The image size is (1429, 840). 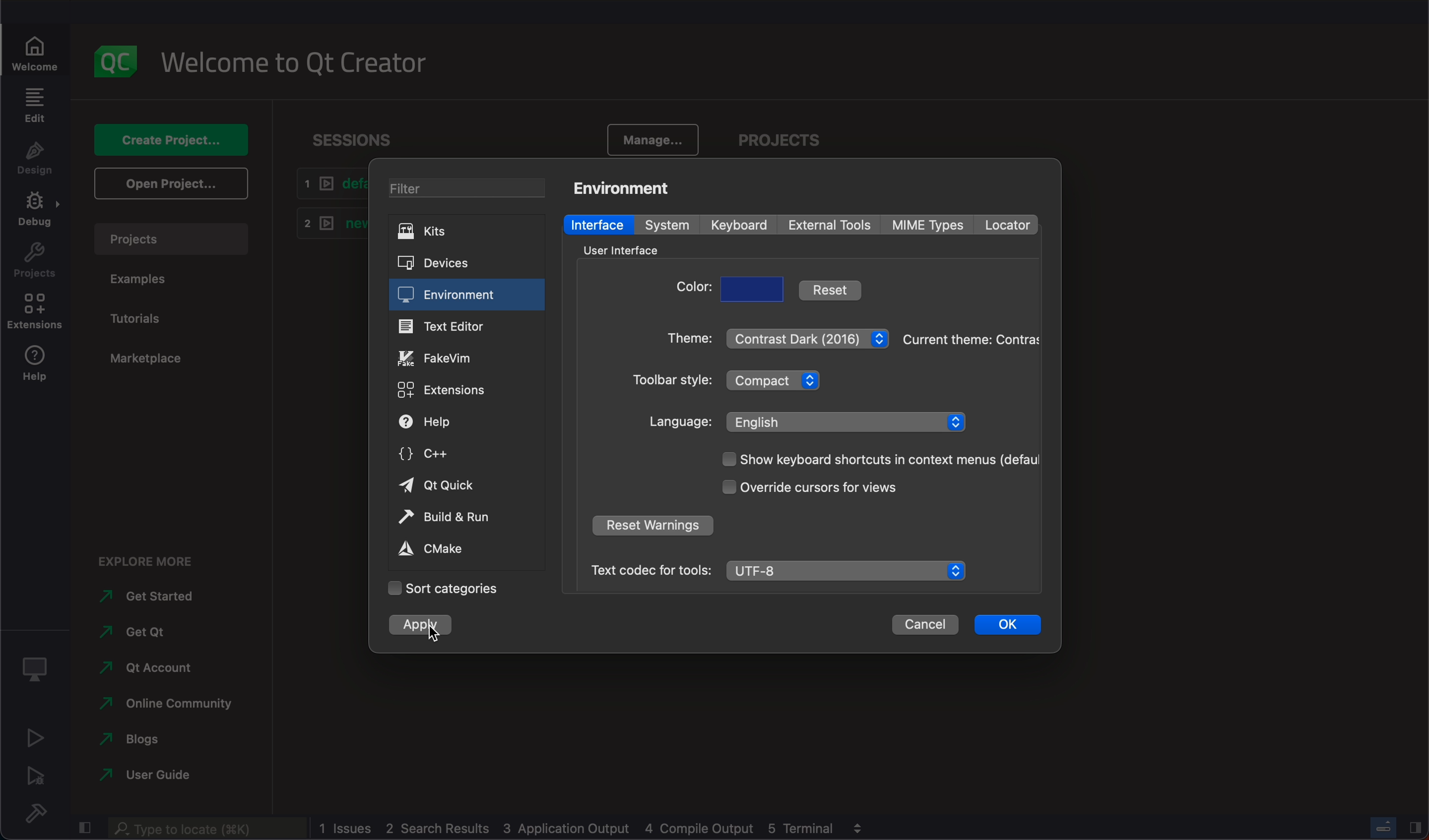 I want to click on projects, so click(x=169, y=239).